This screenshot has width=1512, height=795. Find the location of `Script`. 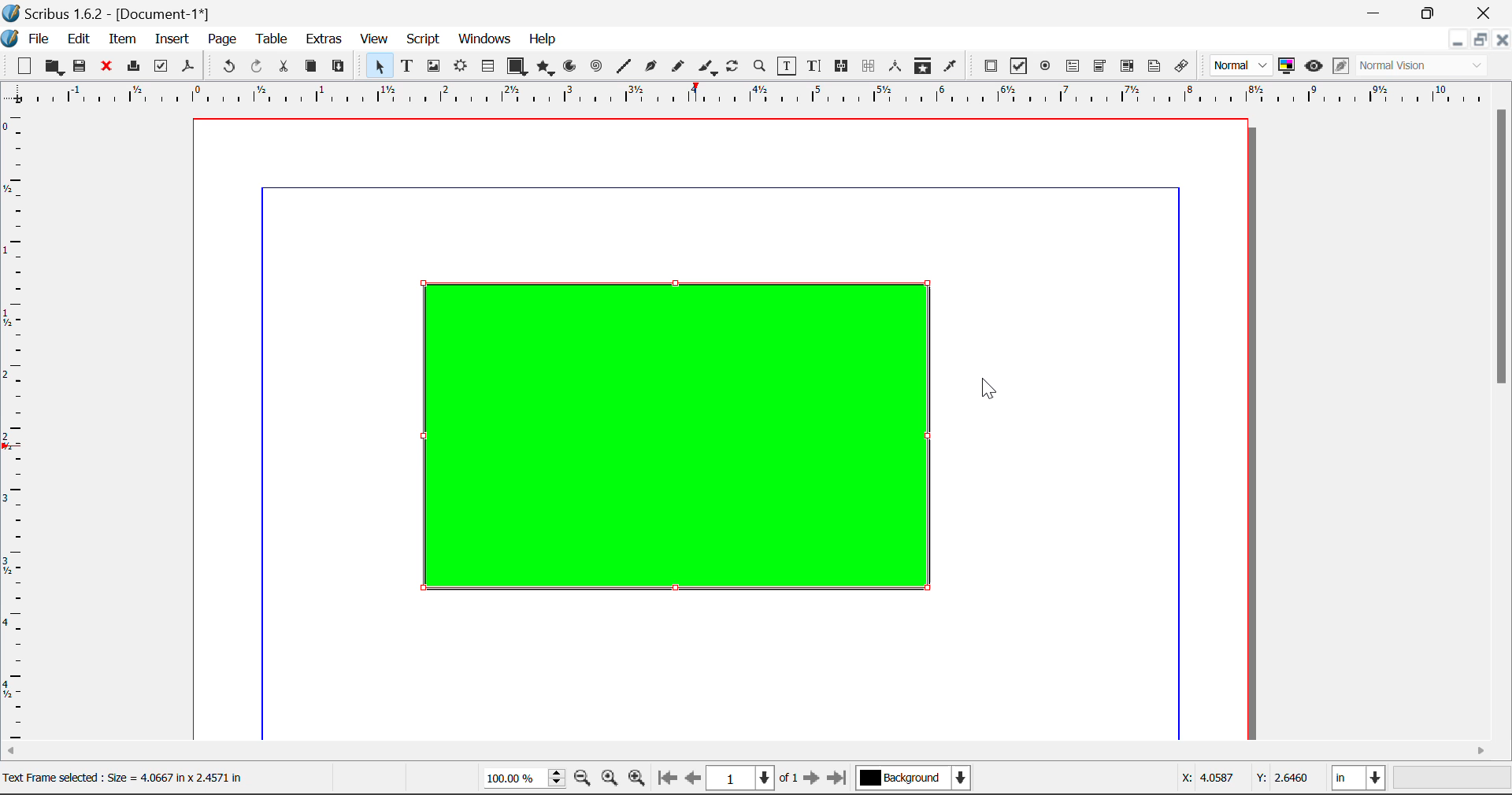

Script is located at coordinates (424, 41).